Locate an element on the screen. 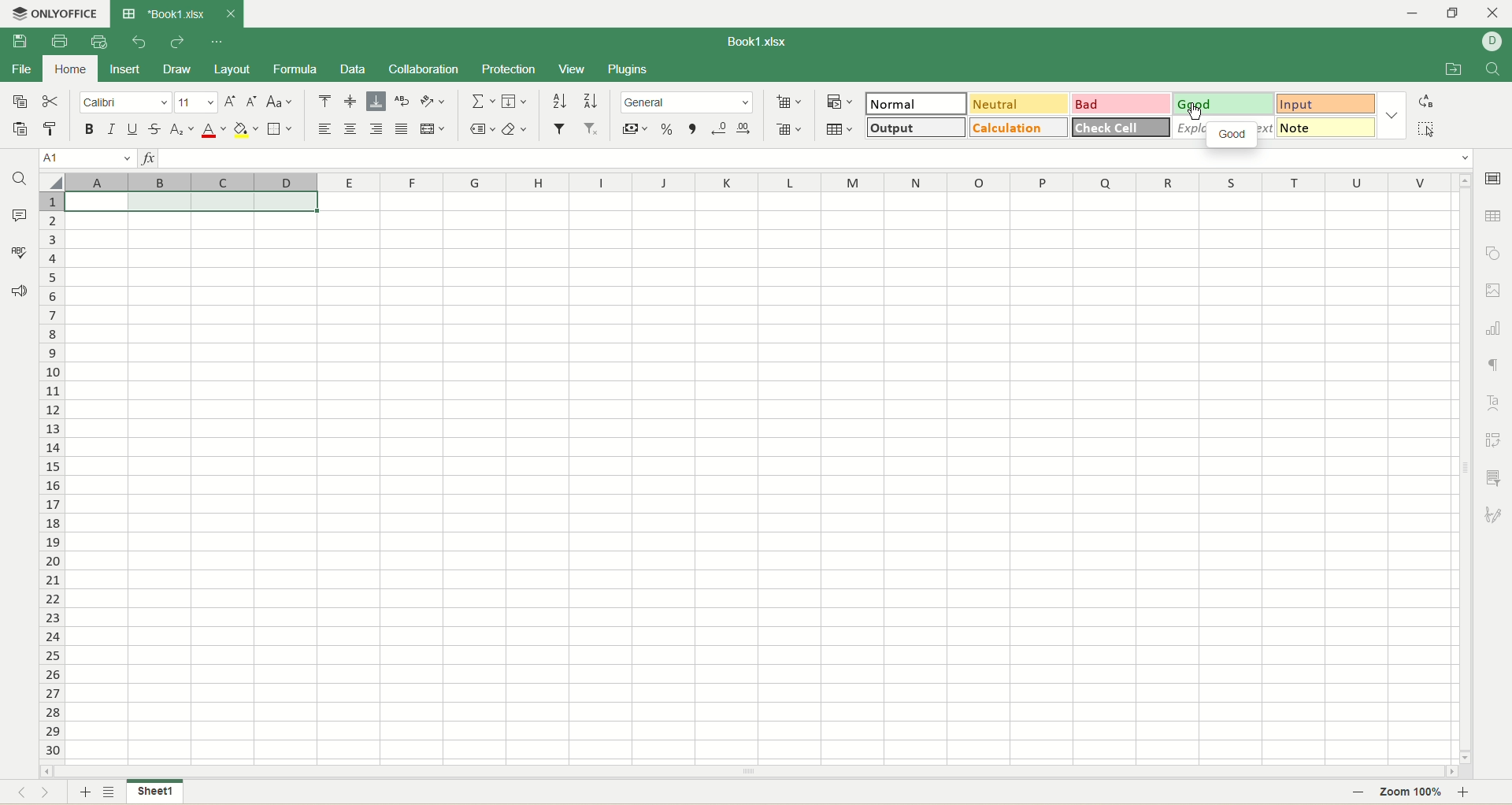  maximize is located at coordinates (1457, 12).